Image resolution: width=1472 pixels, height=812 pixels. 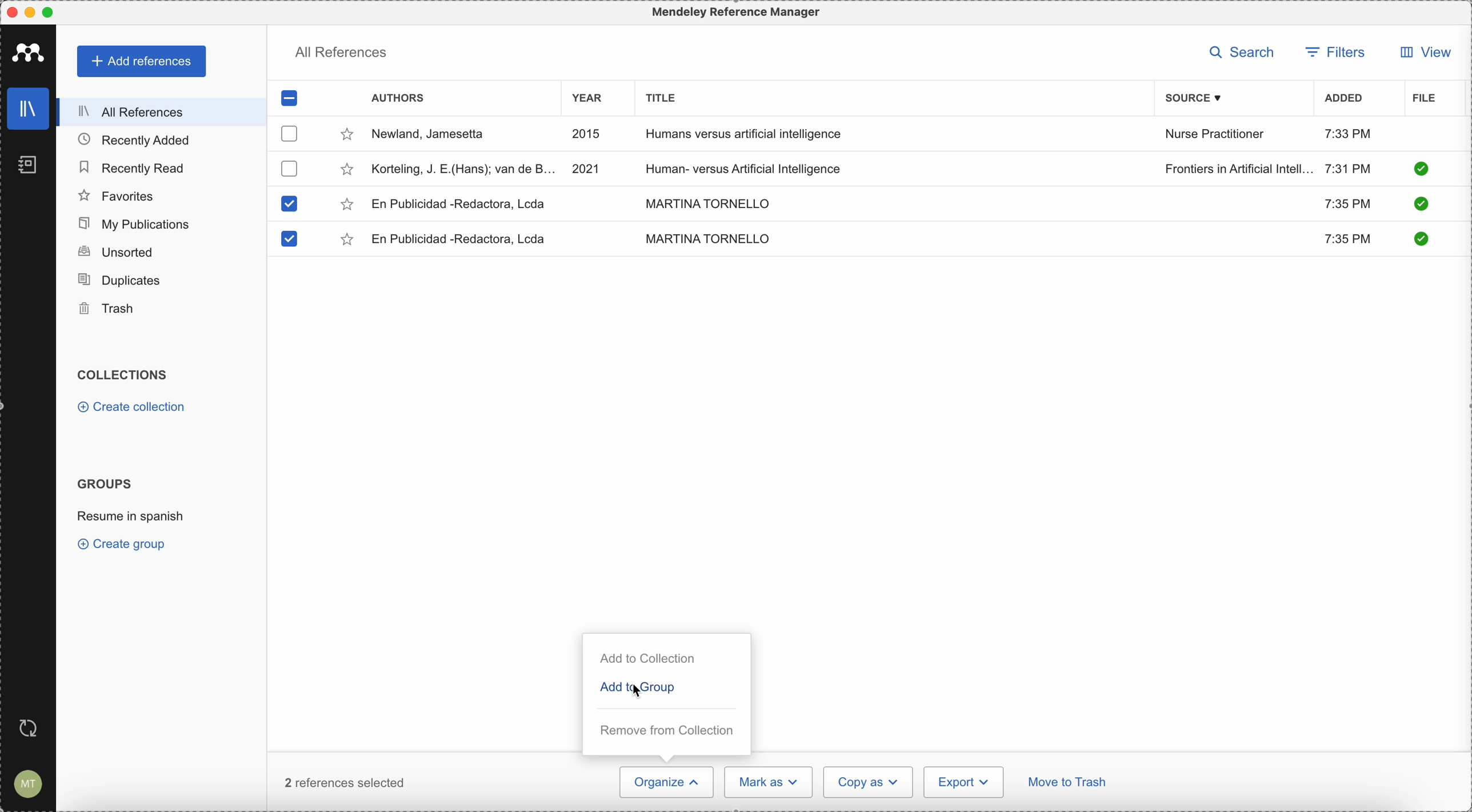 I want to click on add to collection, so click(x=649, y=659).